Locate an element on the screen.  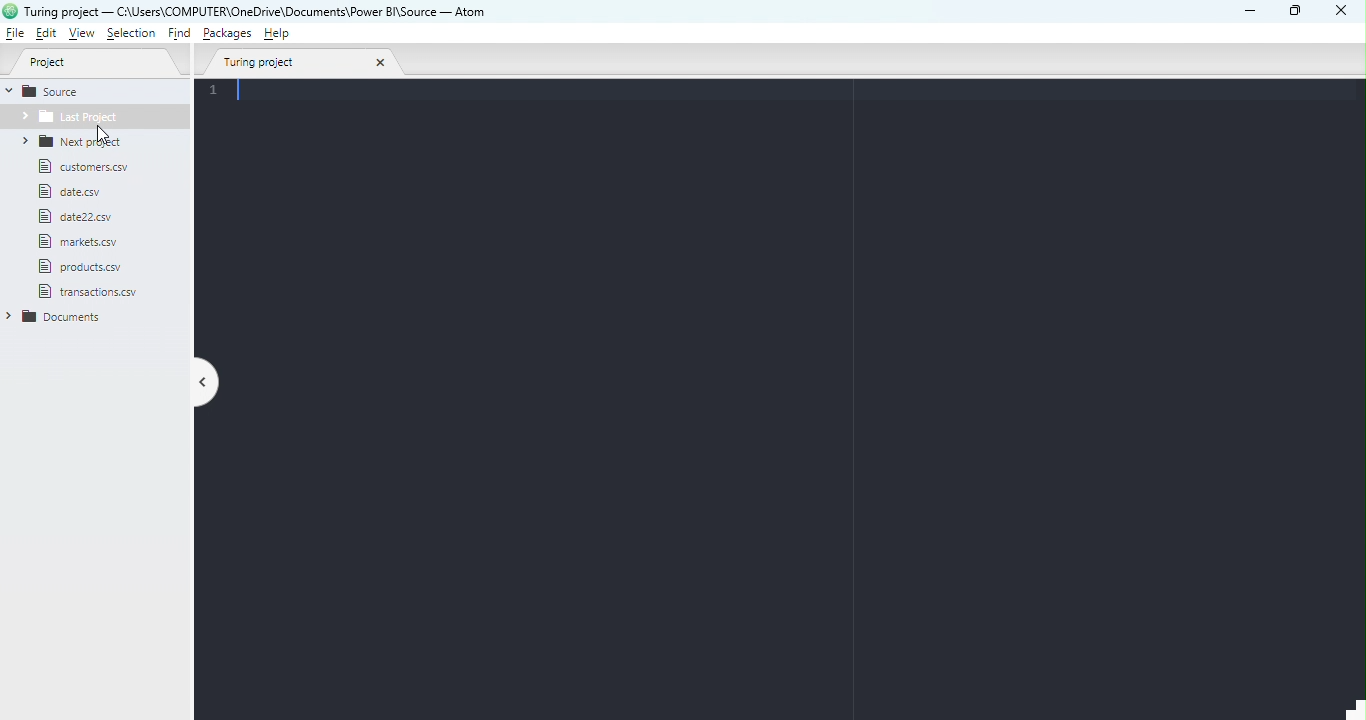
File is located at coordinates (74, 193).